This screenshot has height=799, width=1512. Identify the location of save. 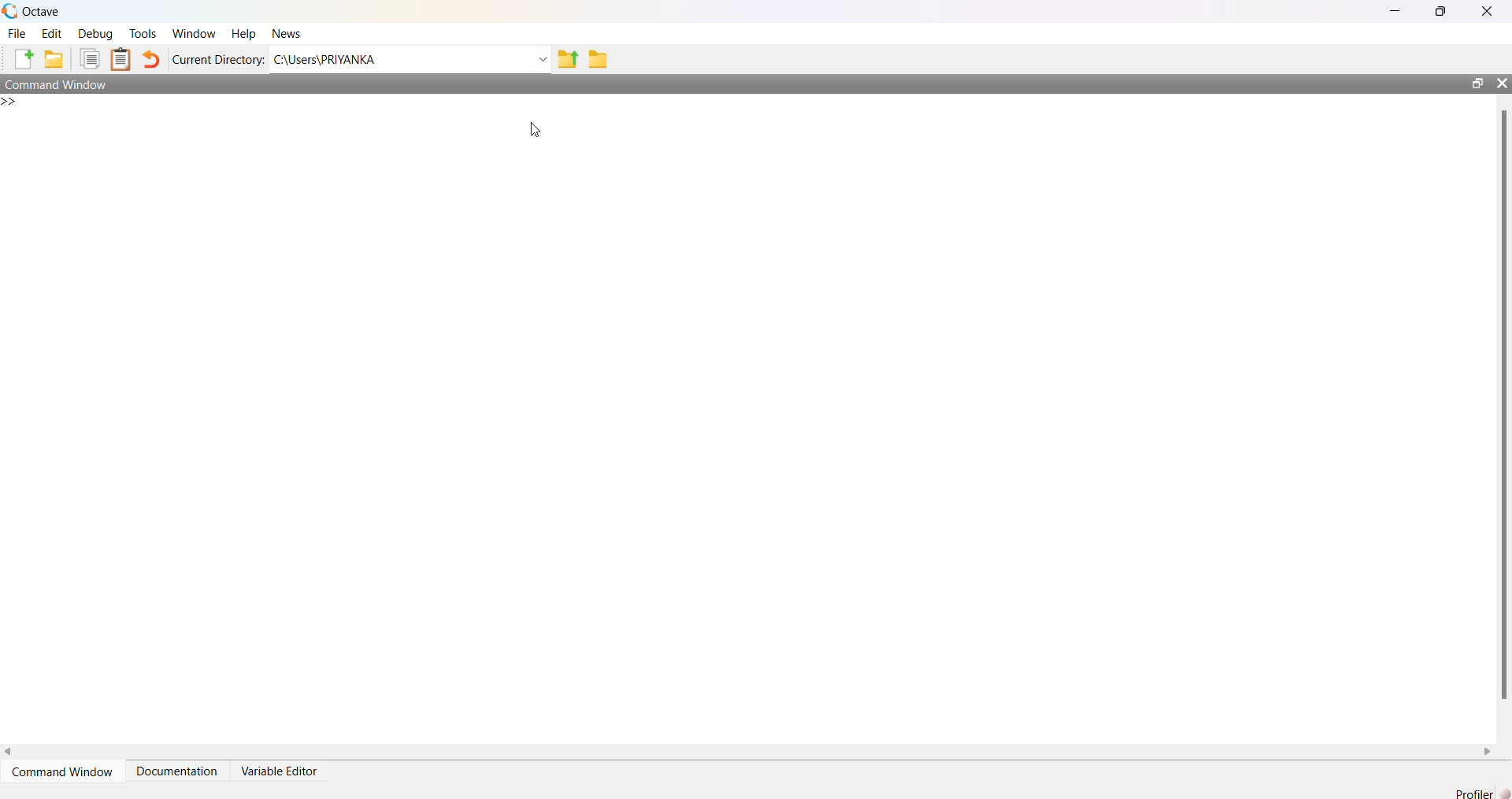
(54, 59).